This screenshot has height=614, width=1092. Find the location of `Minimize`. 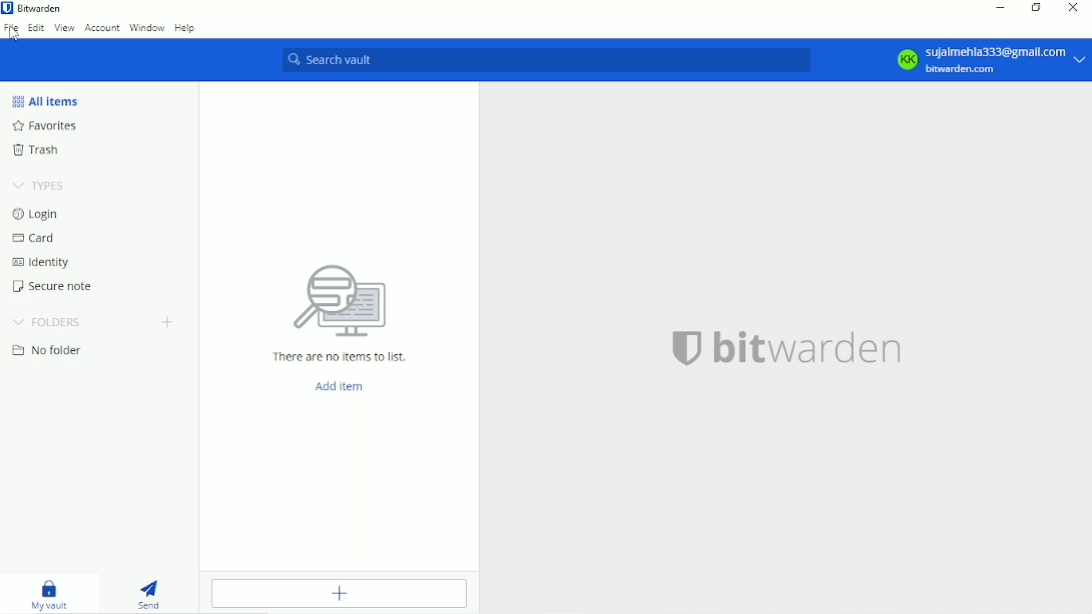

Minimize is located at coordinates (1001, 8).